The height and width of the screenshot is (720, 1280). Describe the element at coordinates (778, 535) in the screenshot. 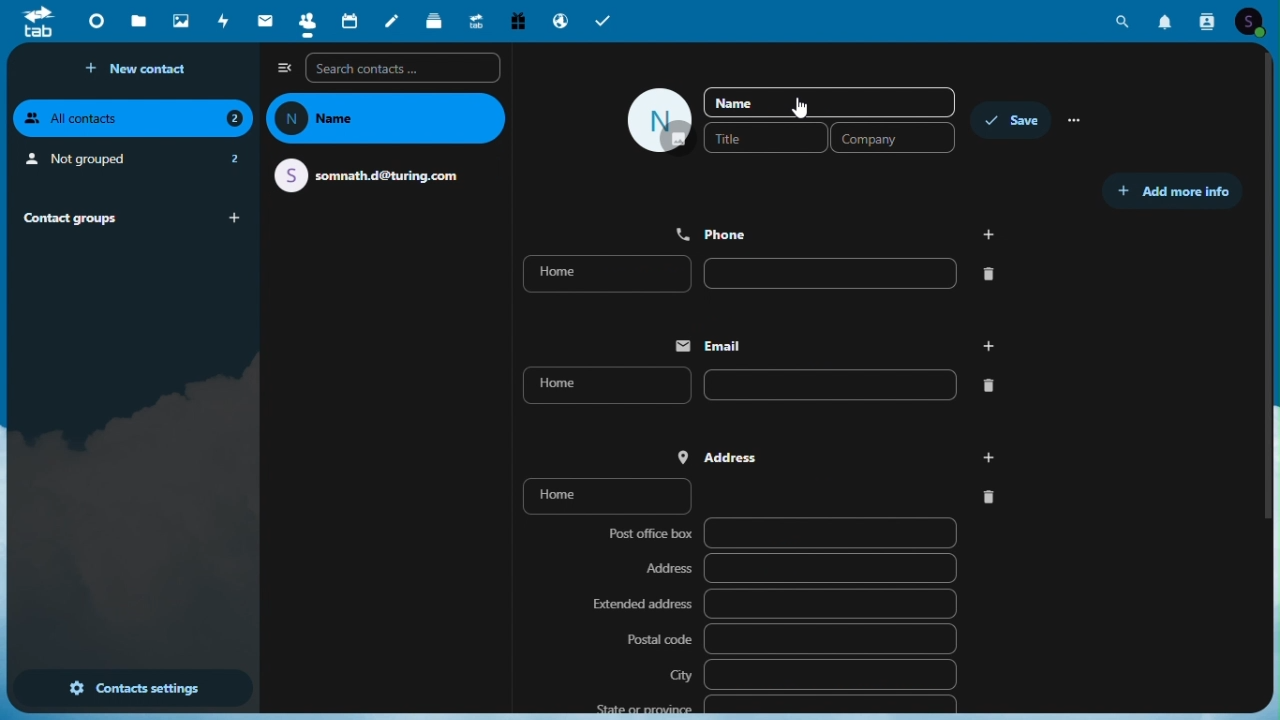

I see `Post office box` at that location.